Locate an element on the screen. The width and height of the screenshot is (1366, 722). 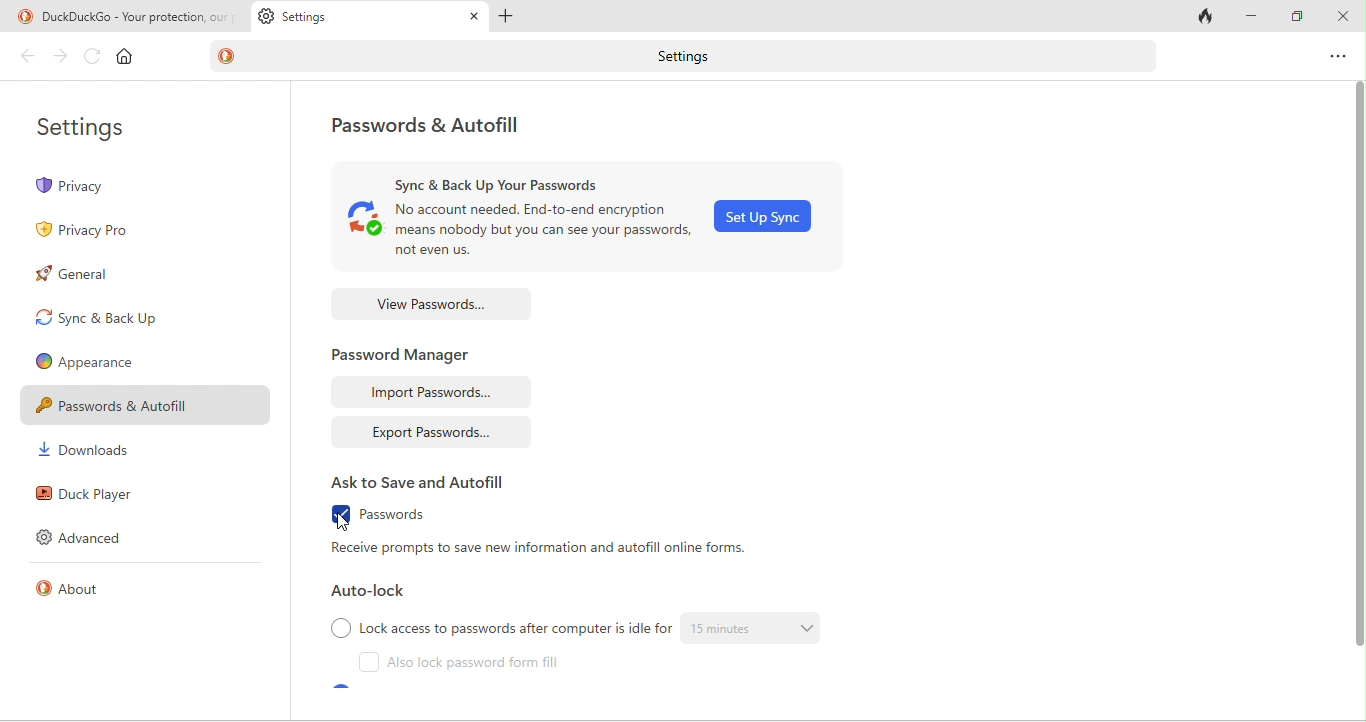
settings is located at coordinates (683, 59).